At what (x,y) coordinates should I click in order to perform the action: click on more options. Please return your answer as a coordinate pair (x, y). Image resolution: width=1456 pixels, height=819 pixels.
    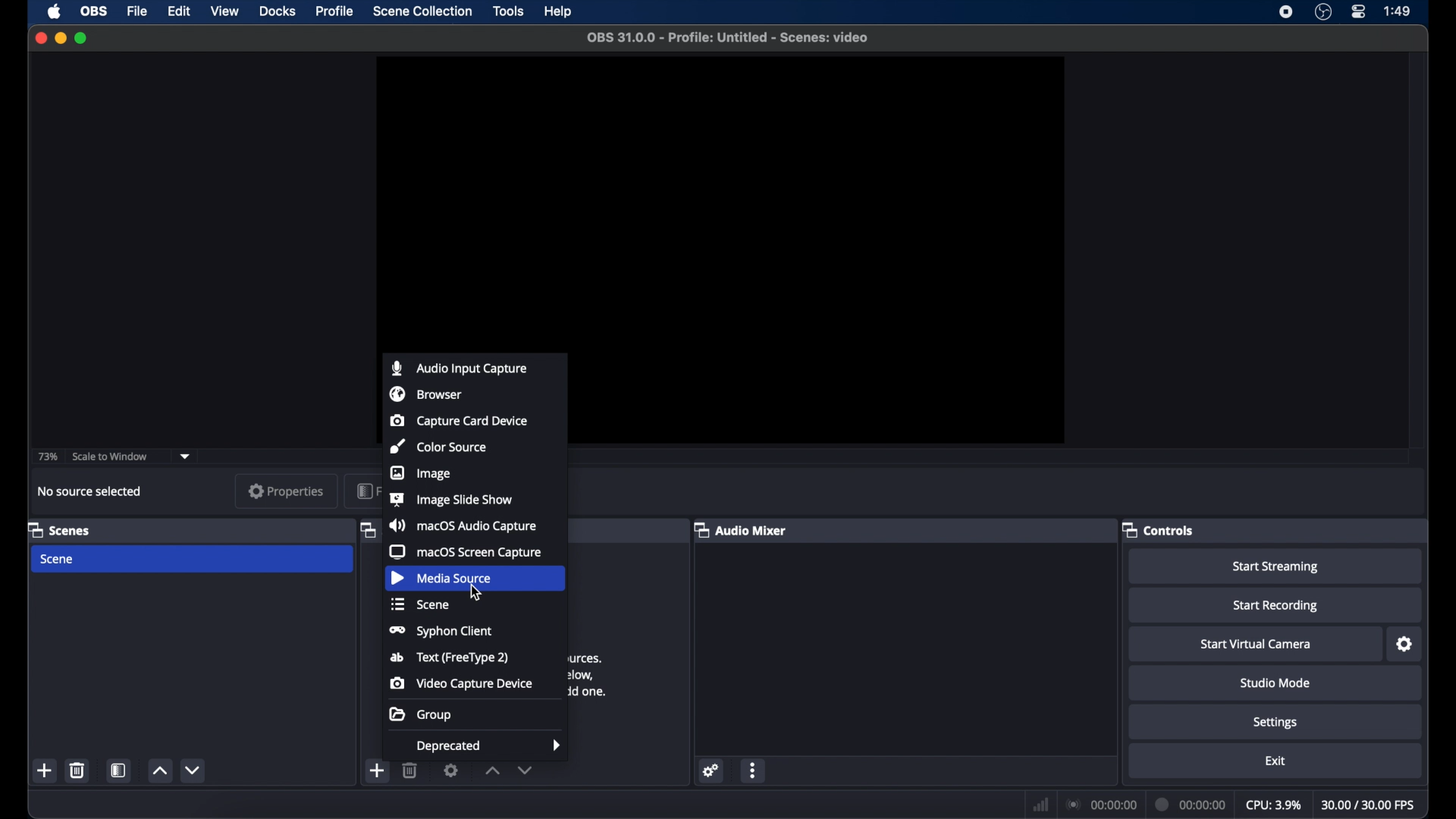
    Looking at the image, I should click on (755, 770).